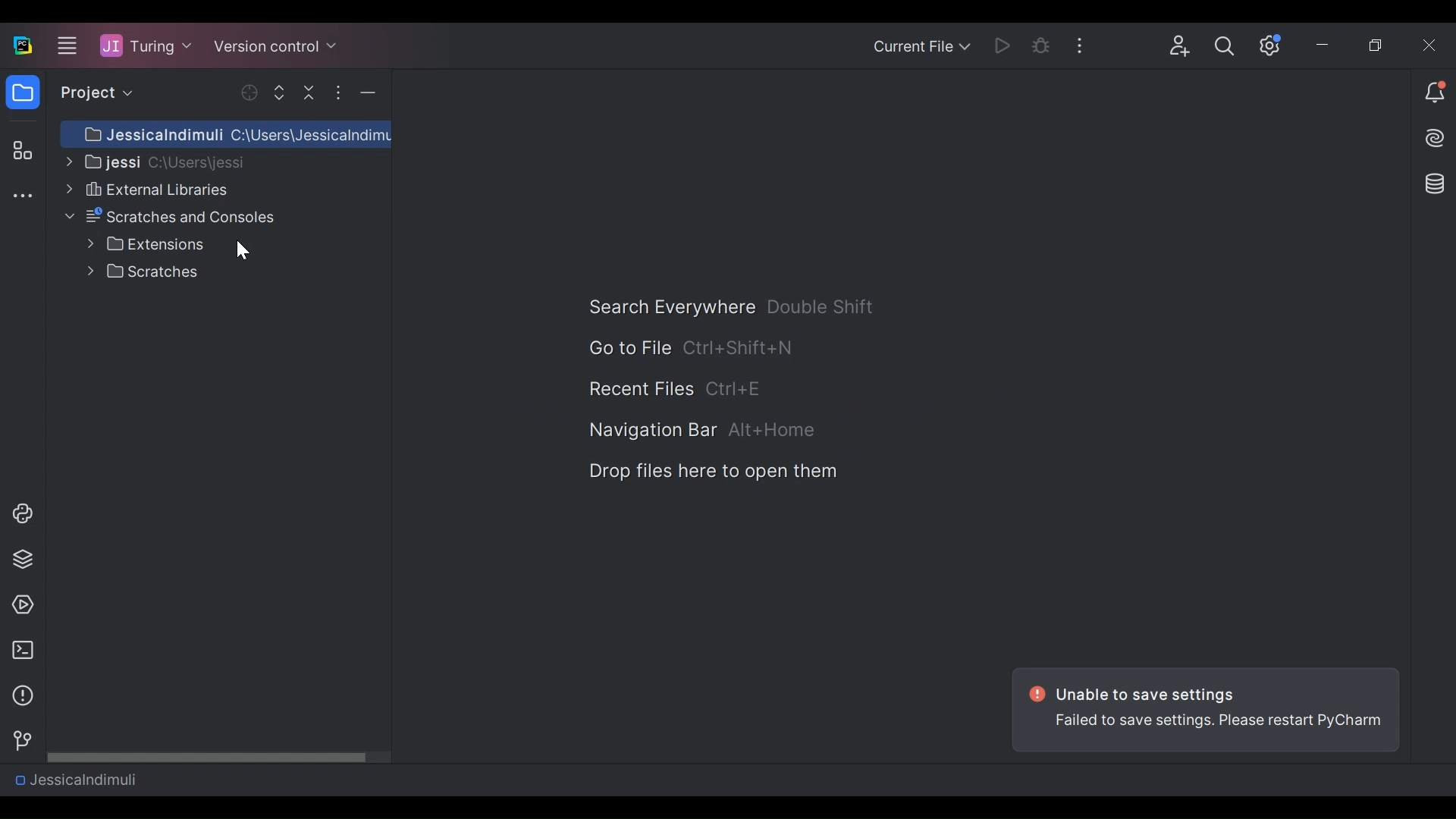  What do you see at coordinates (368, 93) in the screenshot?
I see `Hide` at bounding box center [368, 93].